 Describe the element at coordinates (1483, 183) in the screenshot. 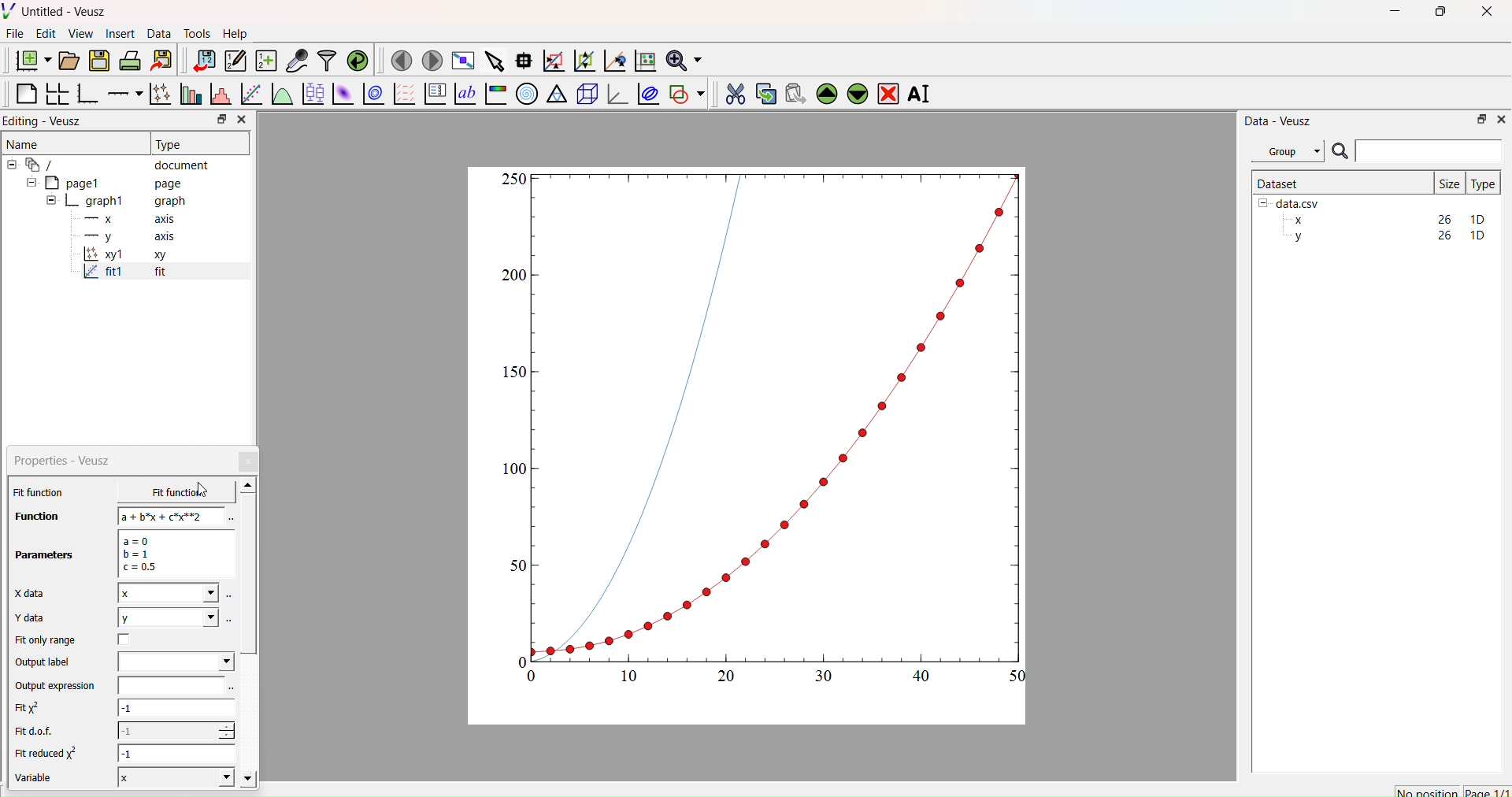

I see `Type` at that location.